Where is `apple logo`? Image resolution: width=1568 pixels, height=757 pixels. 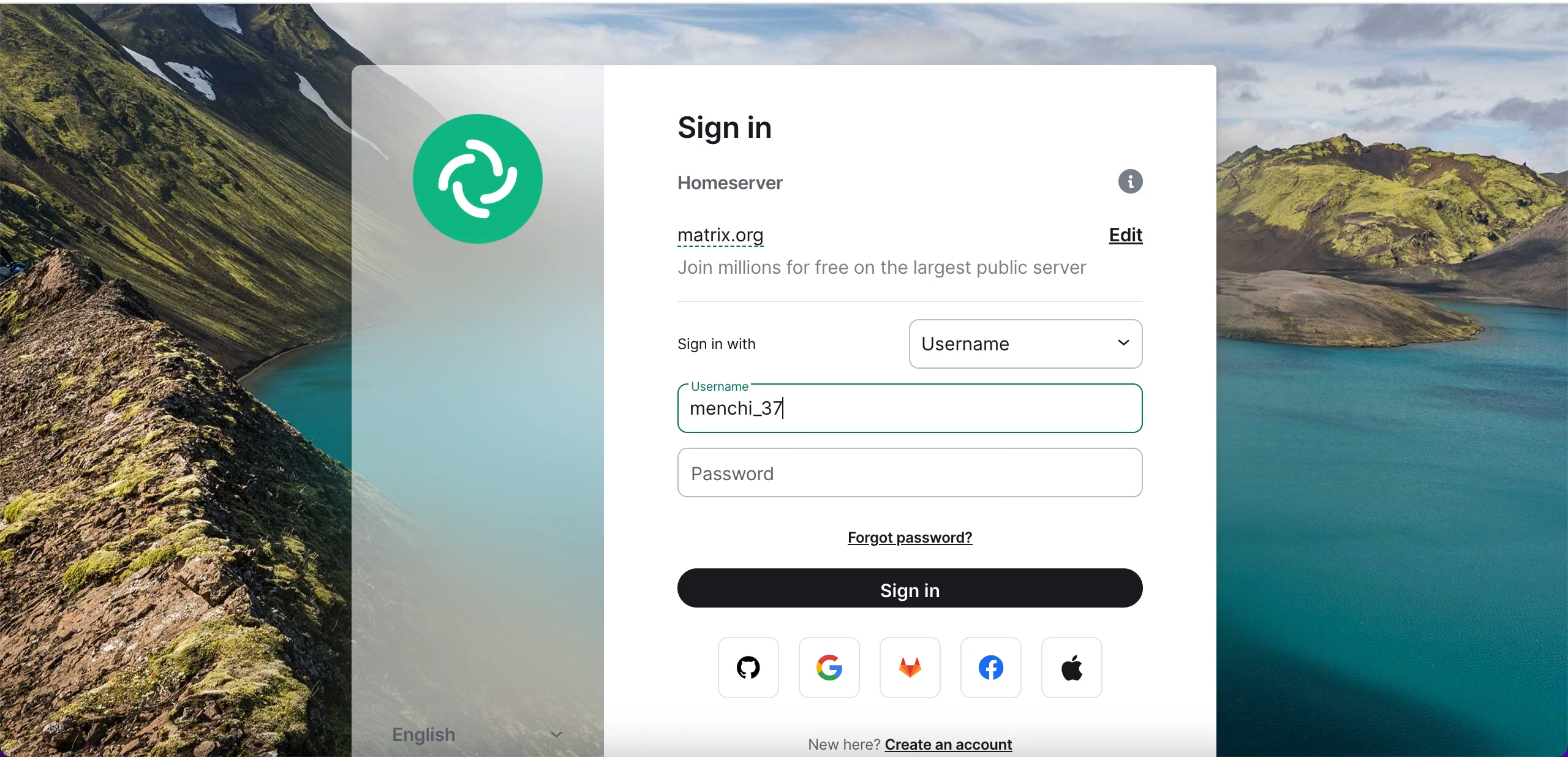 apple logo is located at coordinates (1072, 668).